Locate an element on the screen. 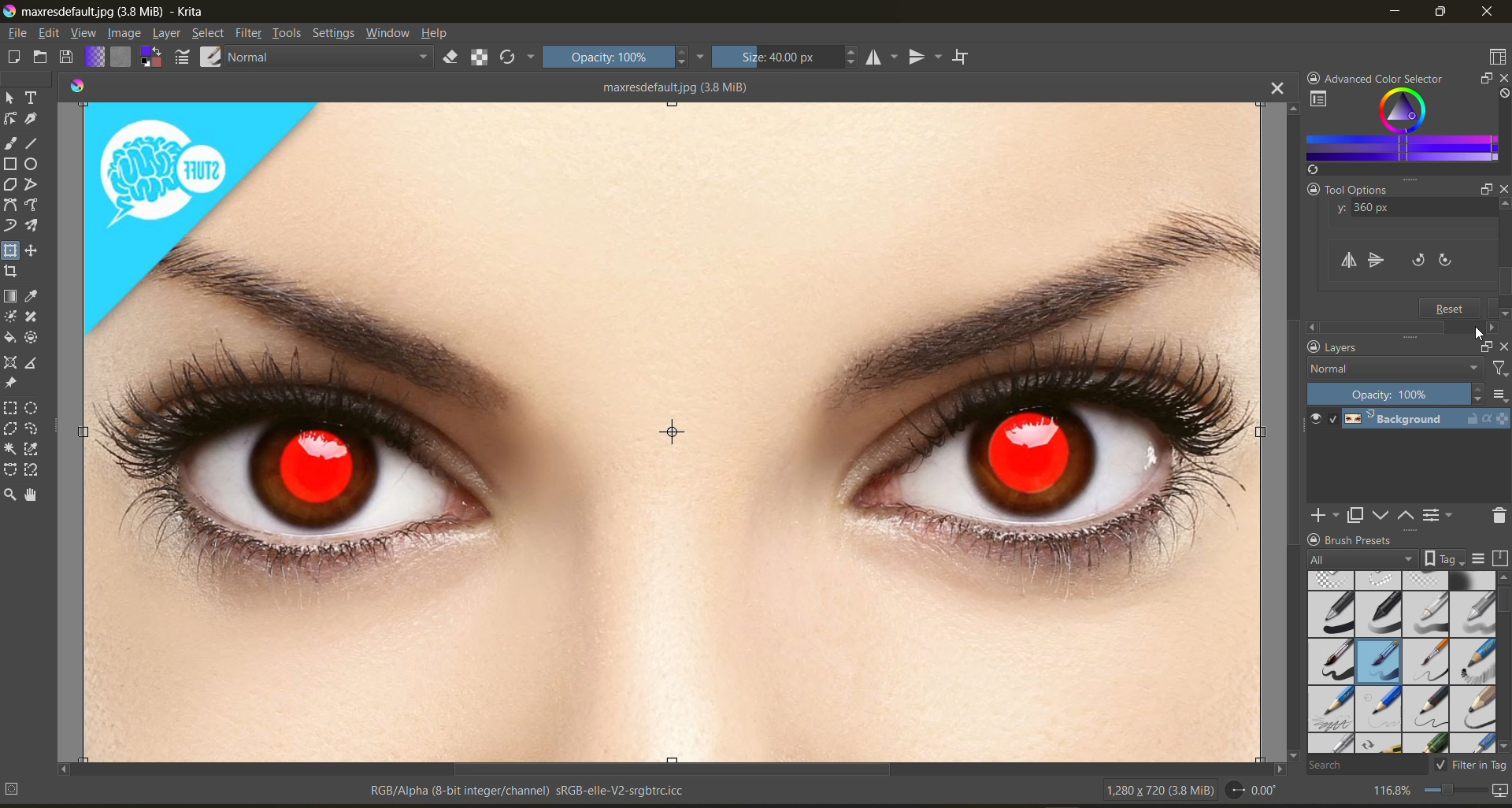 The image size is (1512, 808). lock docker is located at coordinates (1311, 75).